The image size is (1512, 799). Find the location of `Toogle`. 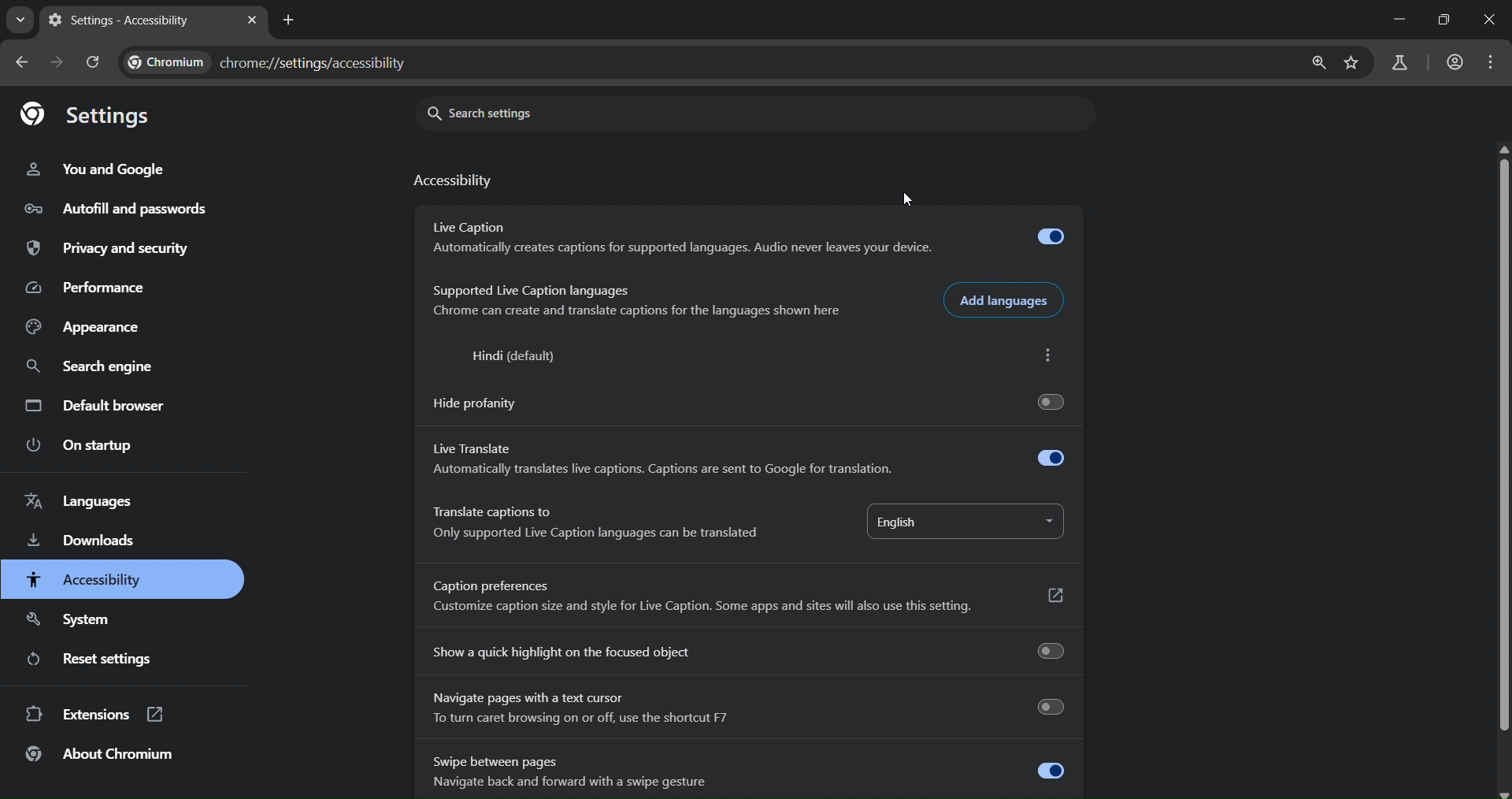

Toogle is located at coordinates (1038, 456).